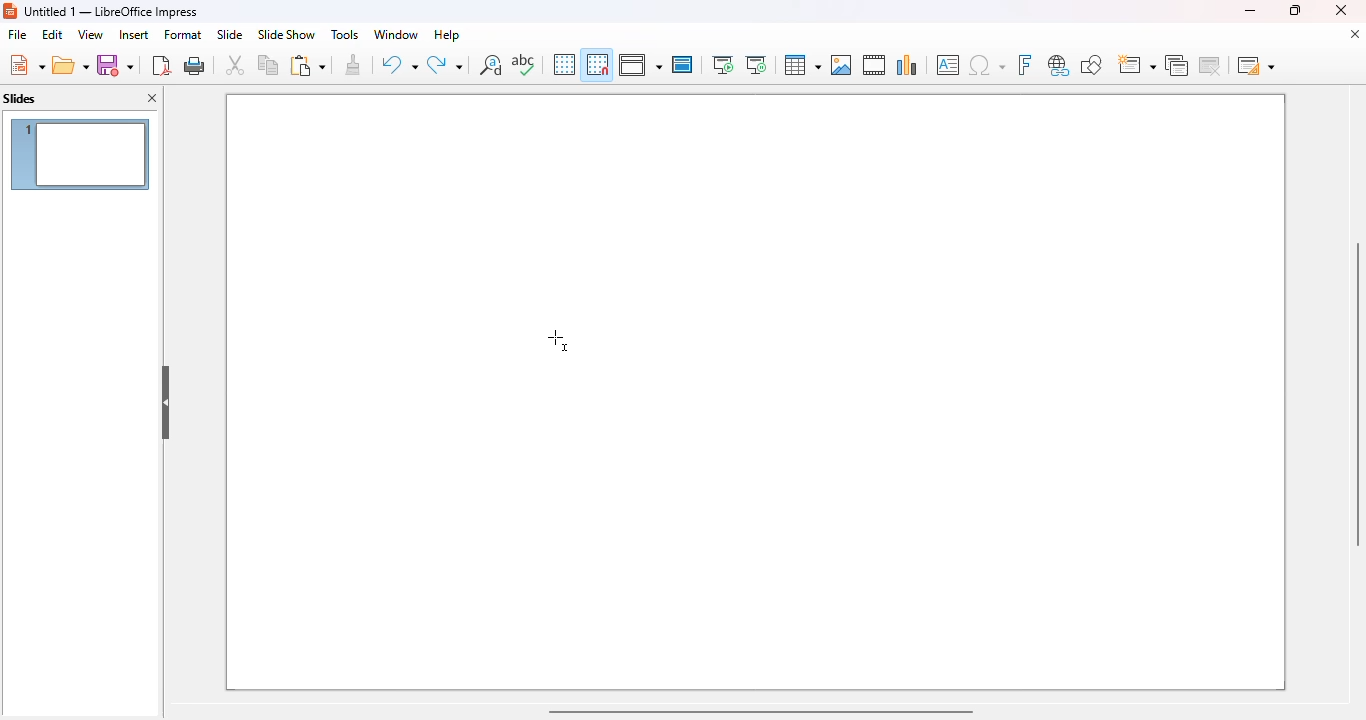 The image size is (1366, 720). Describe the element at coordinates (445, 65) in the screenshot. I see `redo` at that location.